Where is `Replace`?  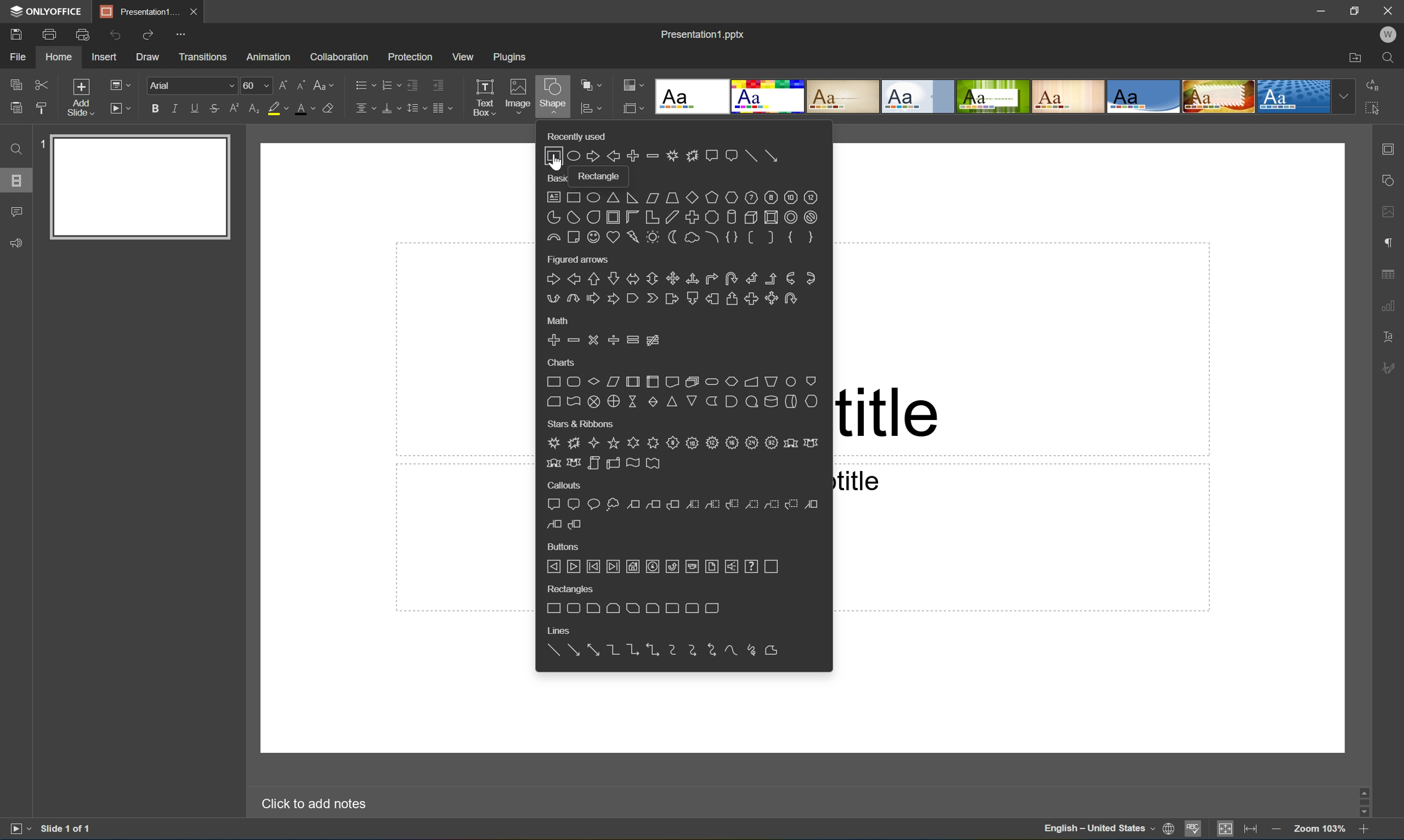
Replace is located at coordinates (1376, 84).